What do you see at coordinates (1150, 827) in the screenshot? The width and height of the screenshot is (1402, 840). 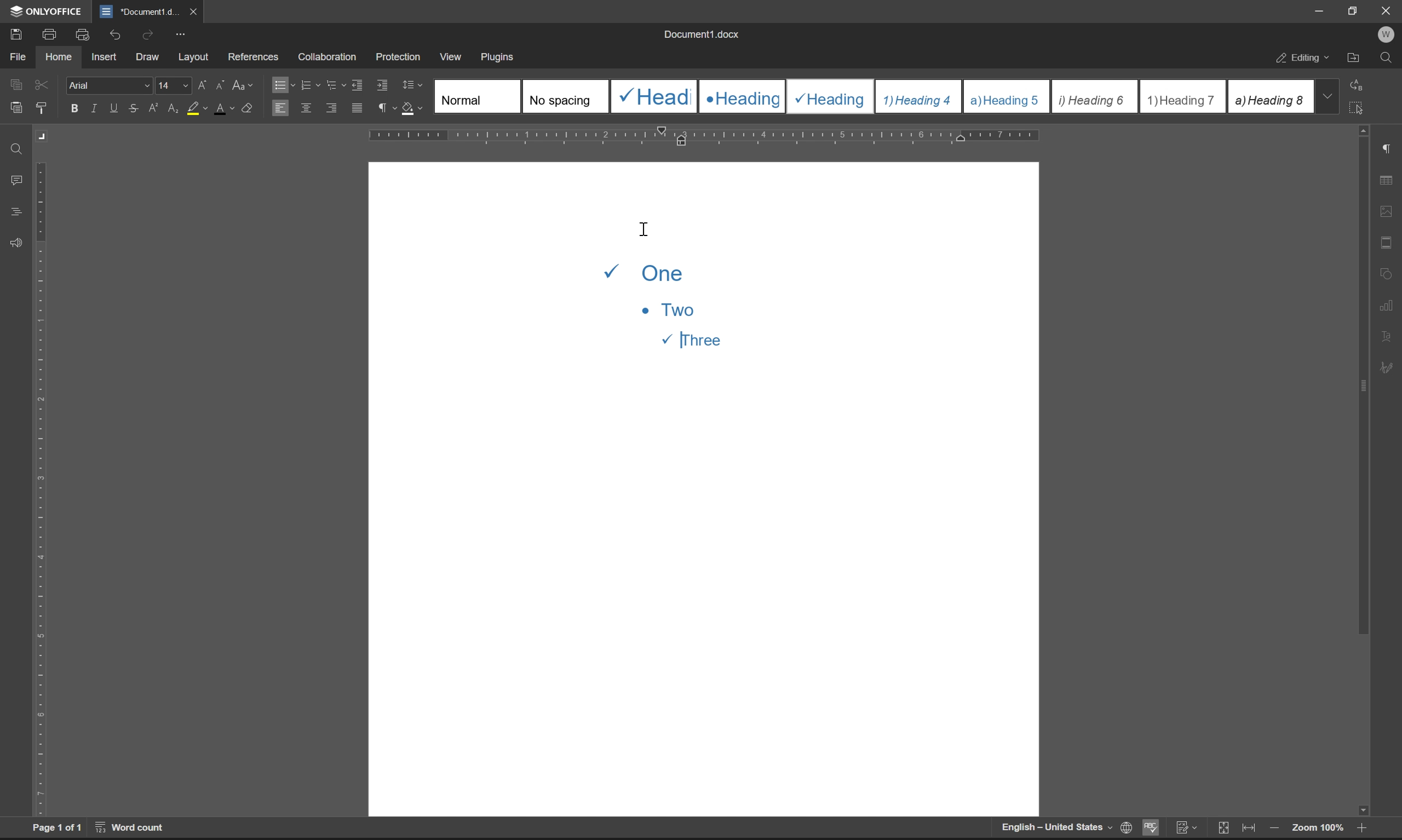 I see `spell checking` at bounding box center [1150, 827].